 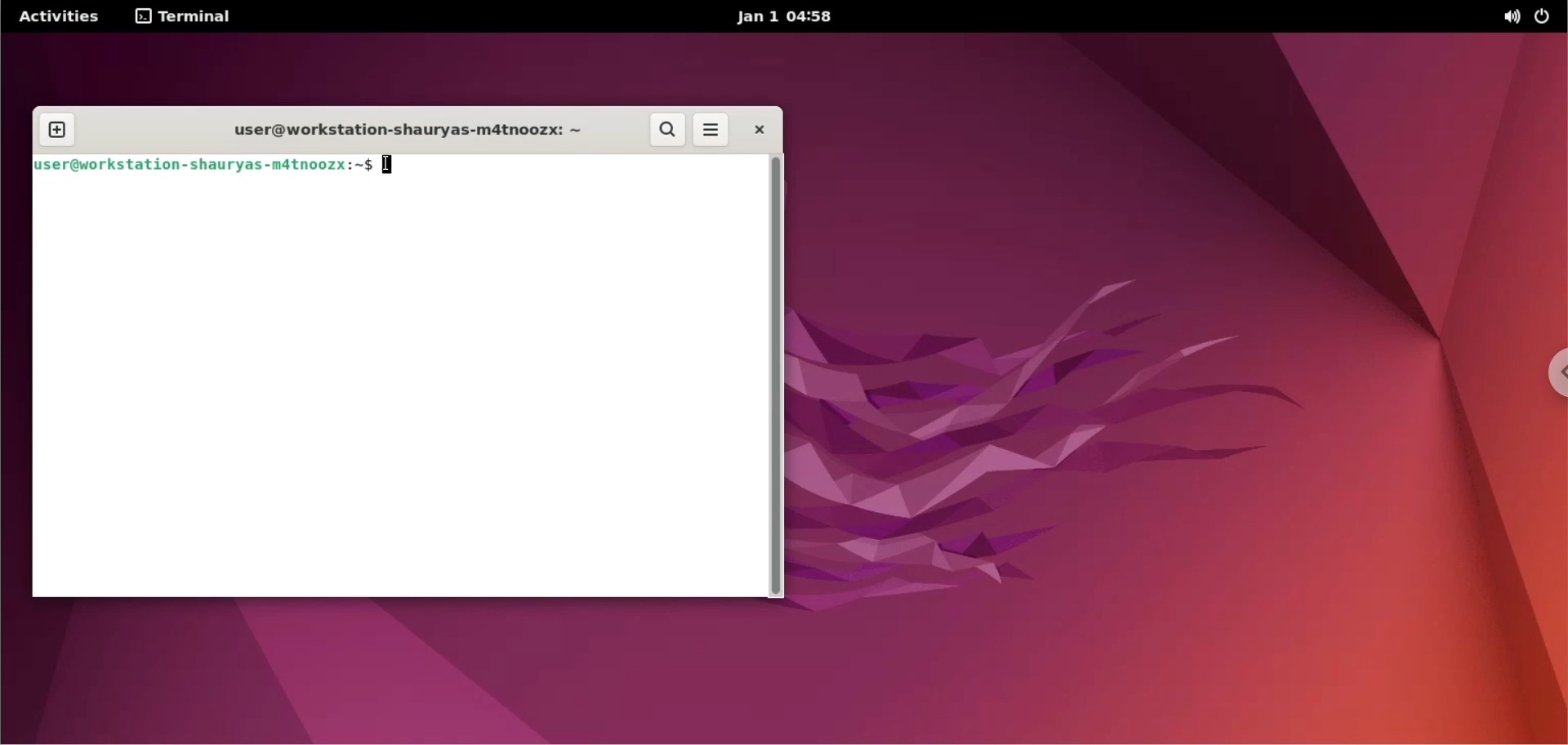 I want to click on command input box, so click(x=398, y=390).